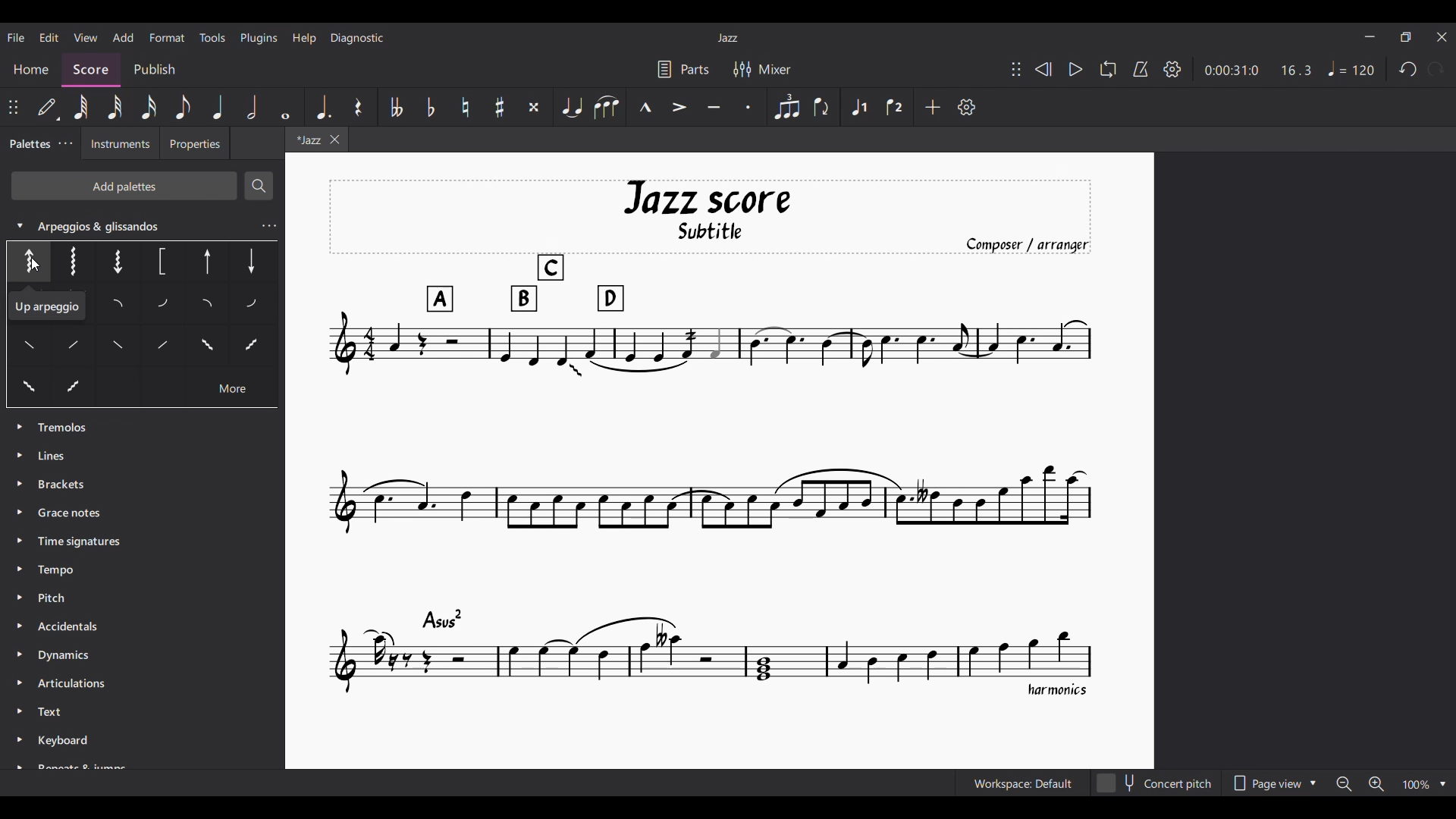 The image size is (1456, 819). What do you see at coordinates (63, 485) in the screenshot?
I see `Brackets` at bounding box center [63, 485].